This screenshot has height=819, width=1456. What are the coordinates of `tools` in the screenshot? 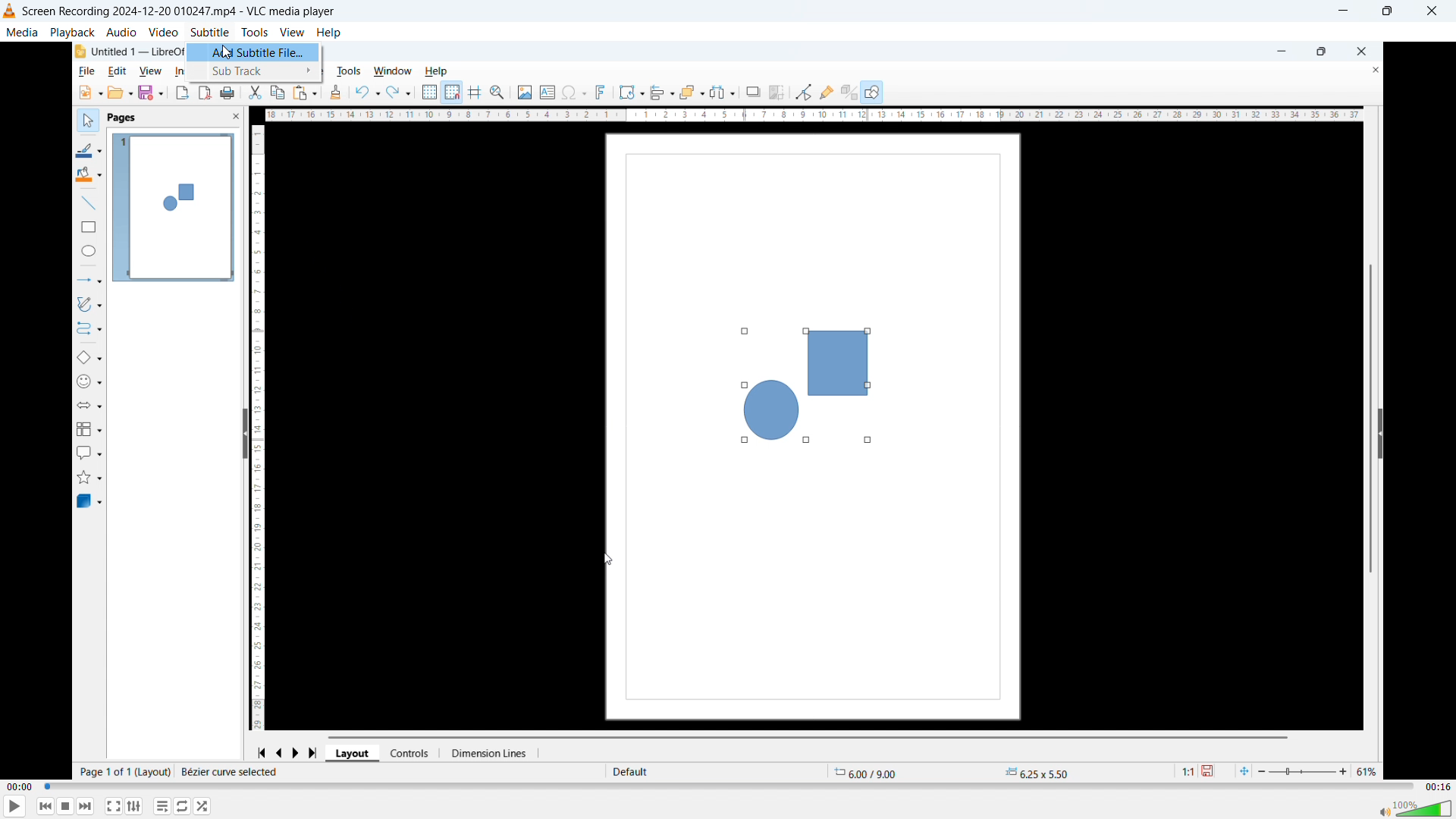 It's located at (352, 70).